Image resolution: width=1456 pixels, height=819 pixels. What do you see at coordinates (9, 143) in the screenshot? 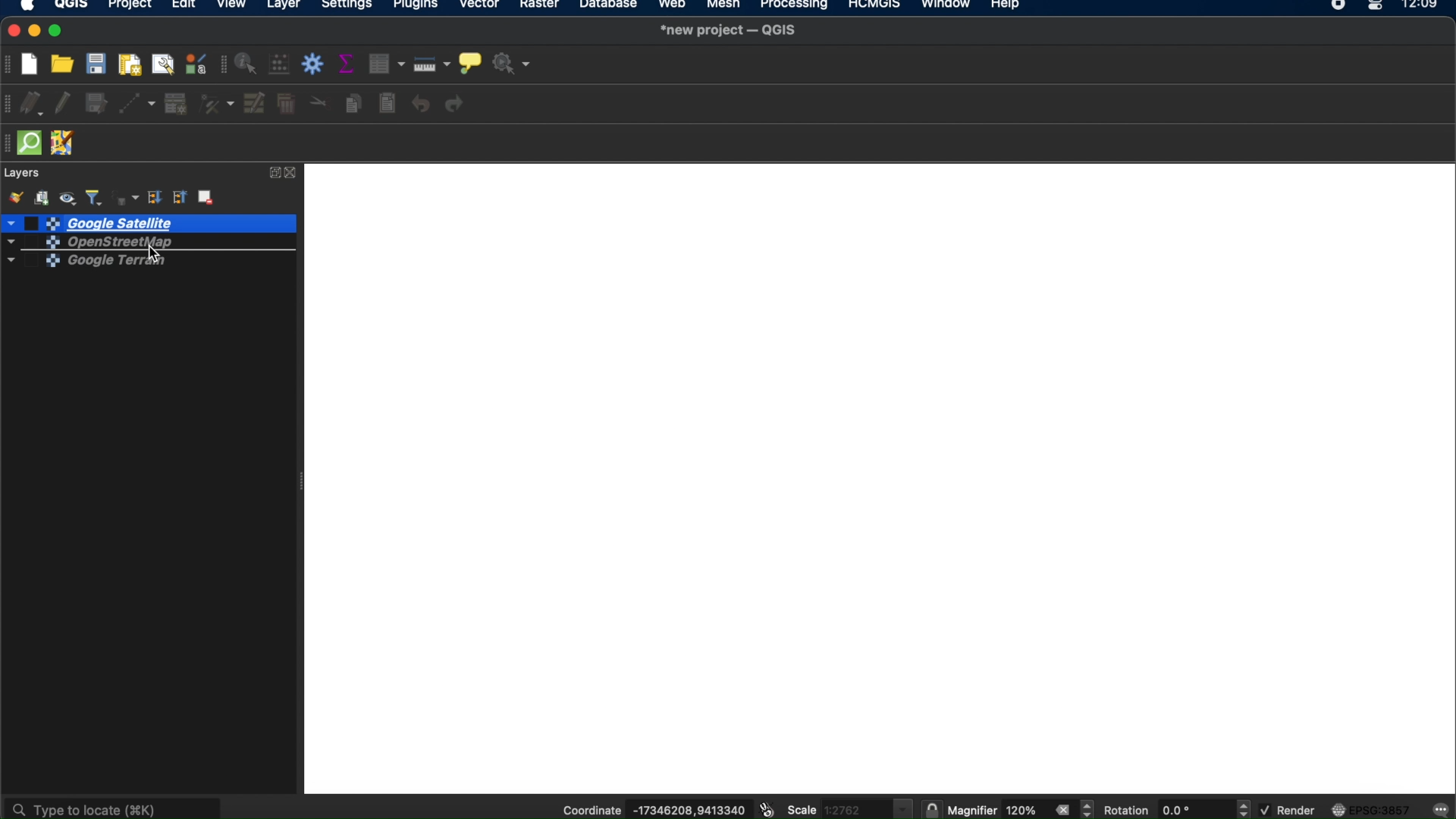
I see `hidden toolbar` at bounding box center [9, 143].